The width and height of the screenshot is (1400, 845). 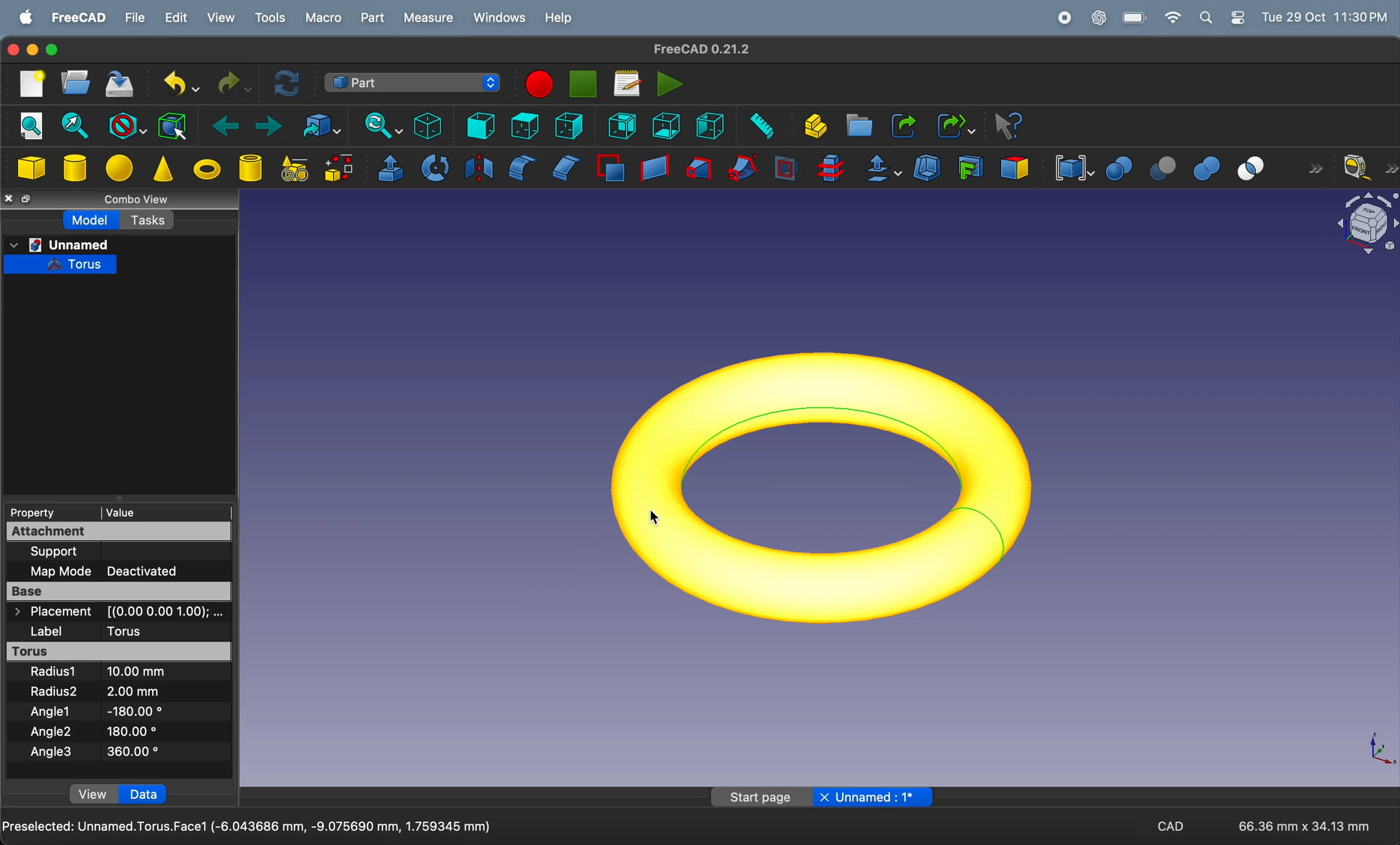 What do you see at coordinates (315, 126) in the screenshot?
I see `go to link objects` at bounding box center [315, 126].